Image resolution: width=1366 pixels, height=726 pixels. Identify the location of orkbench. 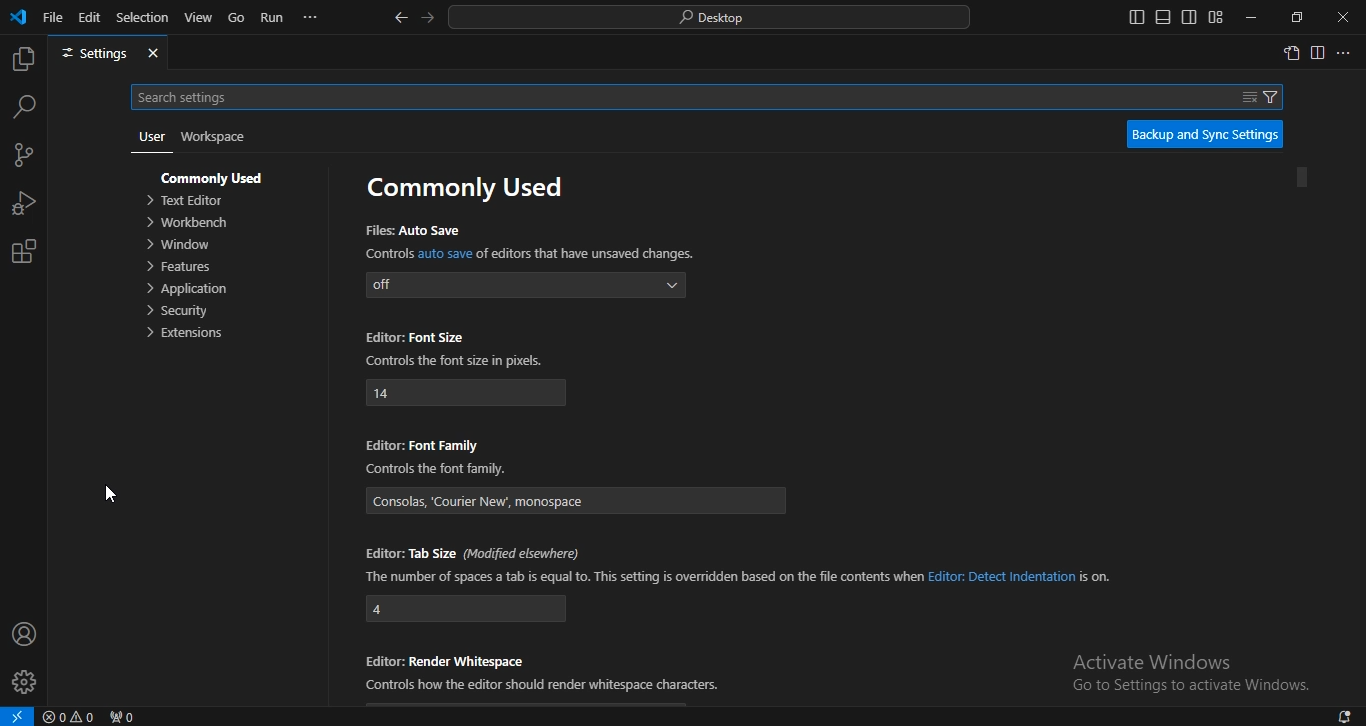
(189, 224).